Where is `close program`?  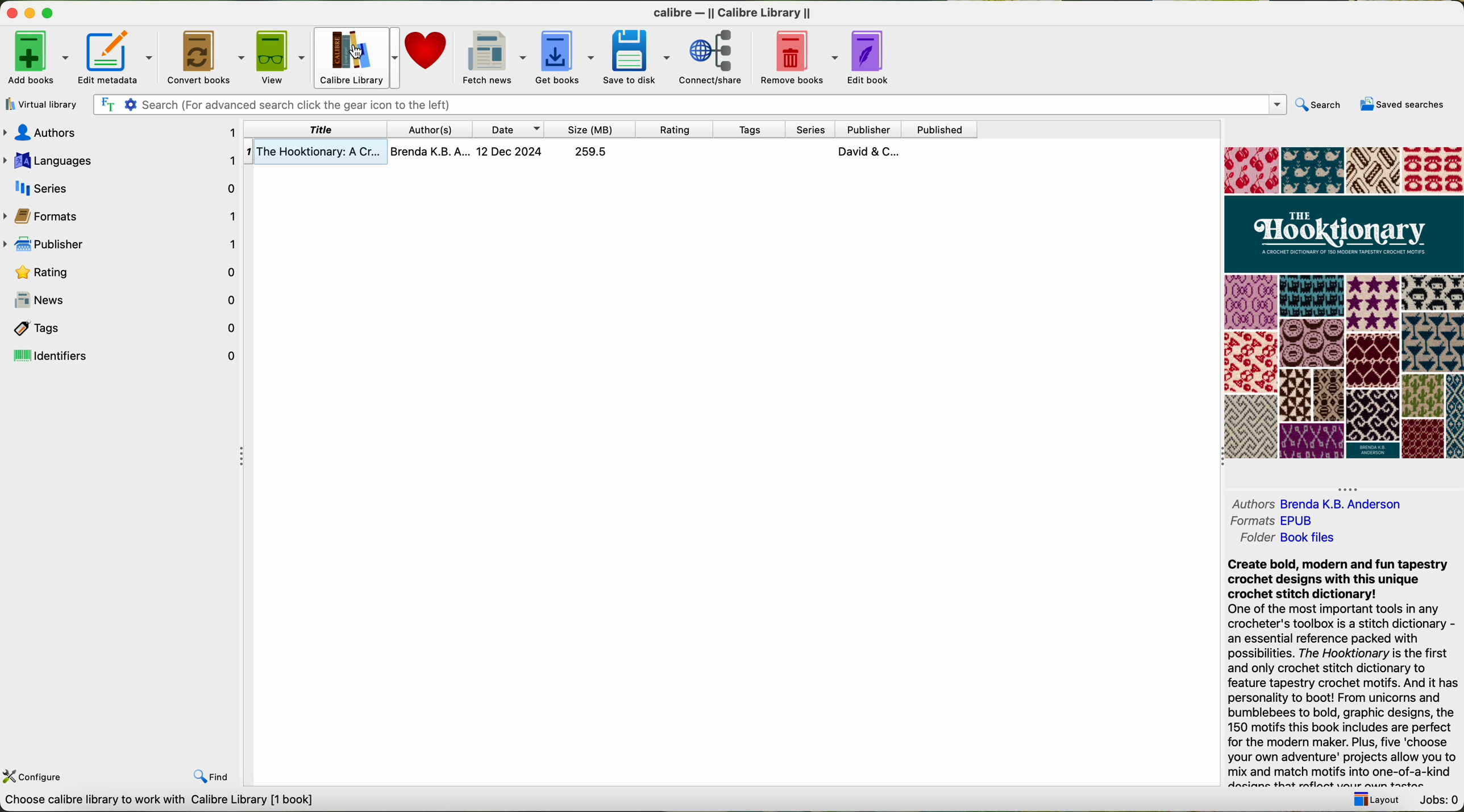 close program is located at coordinates (11, 13).